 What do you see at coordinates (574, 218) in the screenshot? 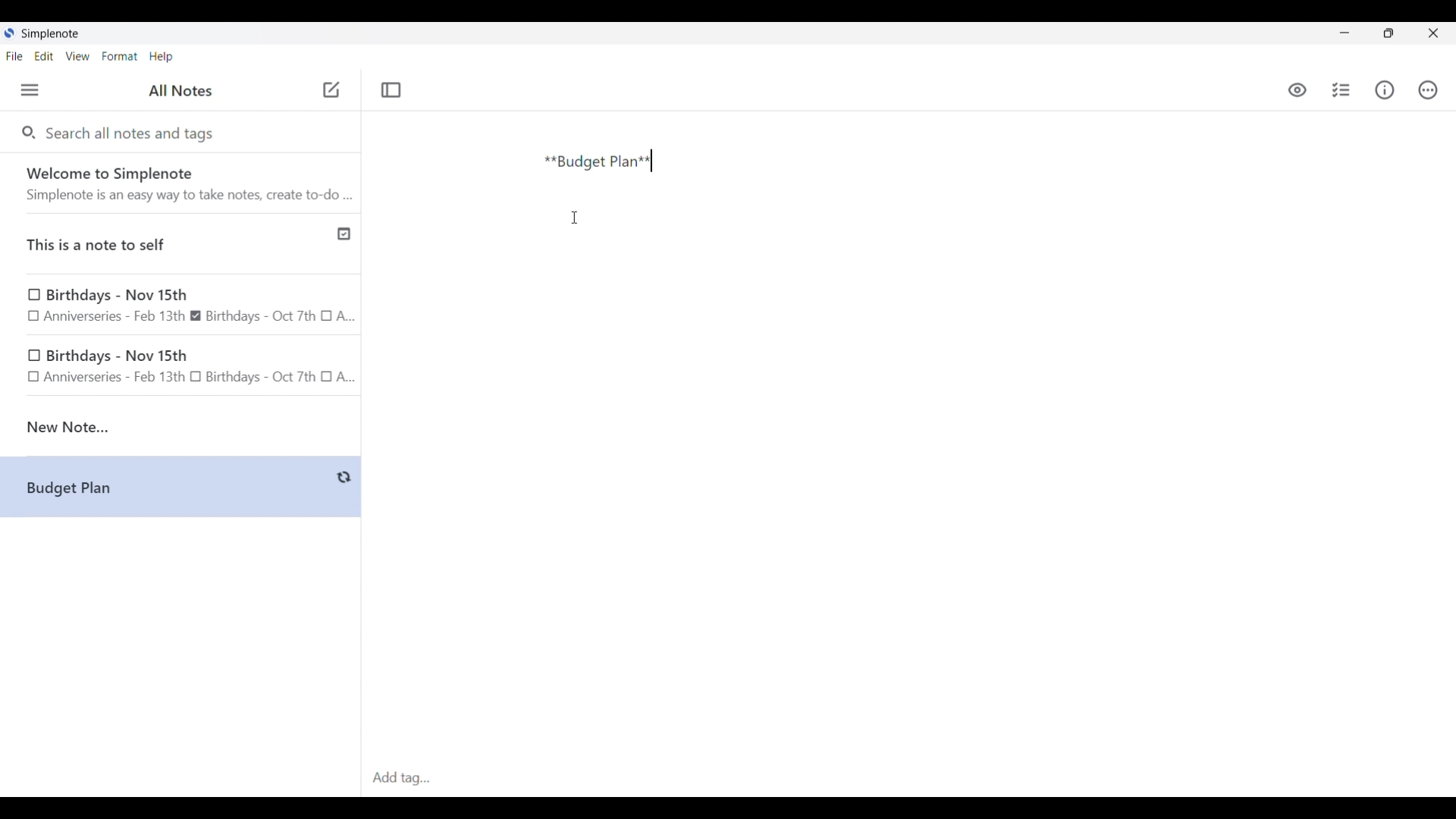
I see `Cursor position unchanged ` at bounding box center [574, 218].